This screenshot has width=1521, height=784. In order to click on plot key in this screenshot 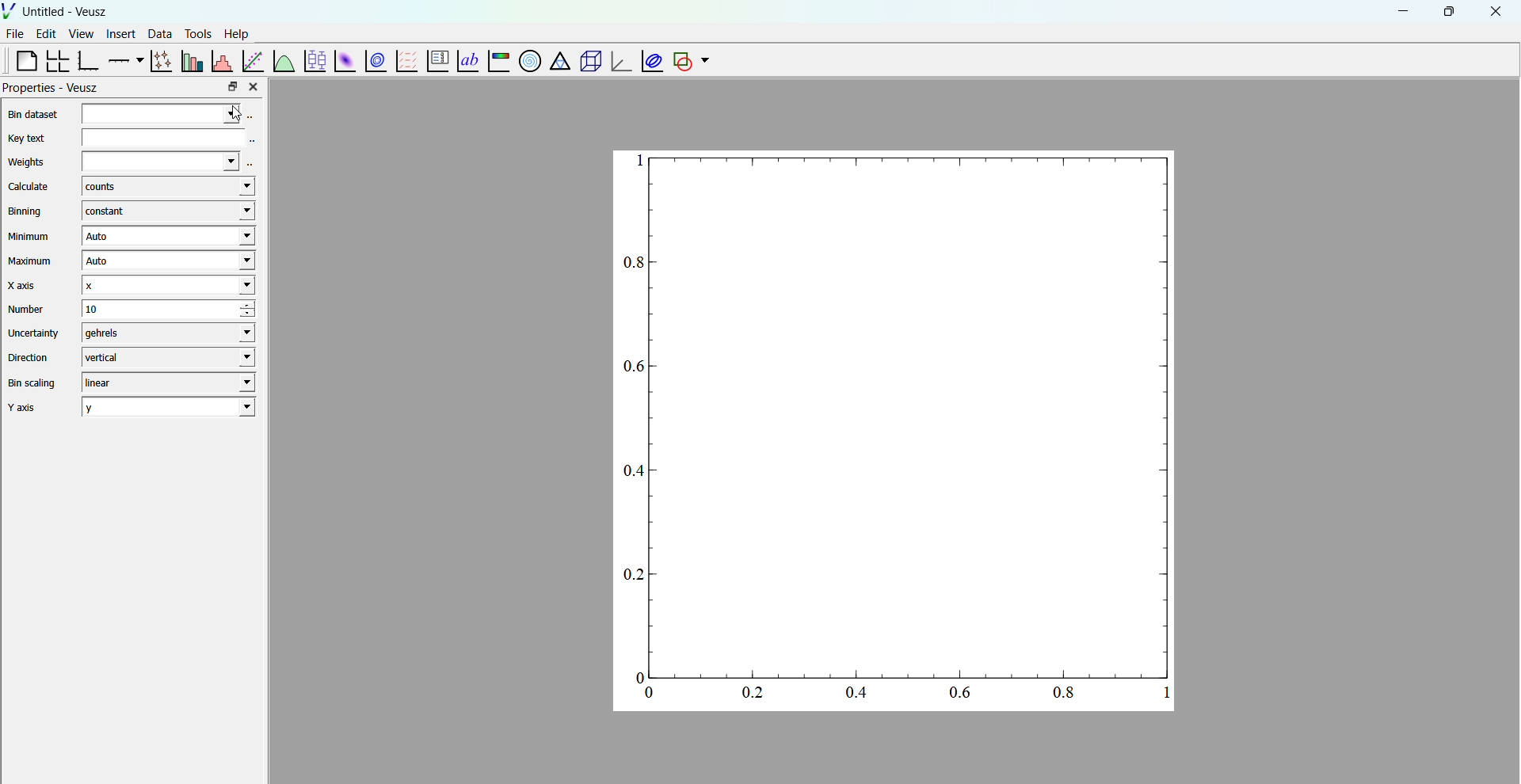, I will do `click(435, 62)`.